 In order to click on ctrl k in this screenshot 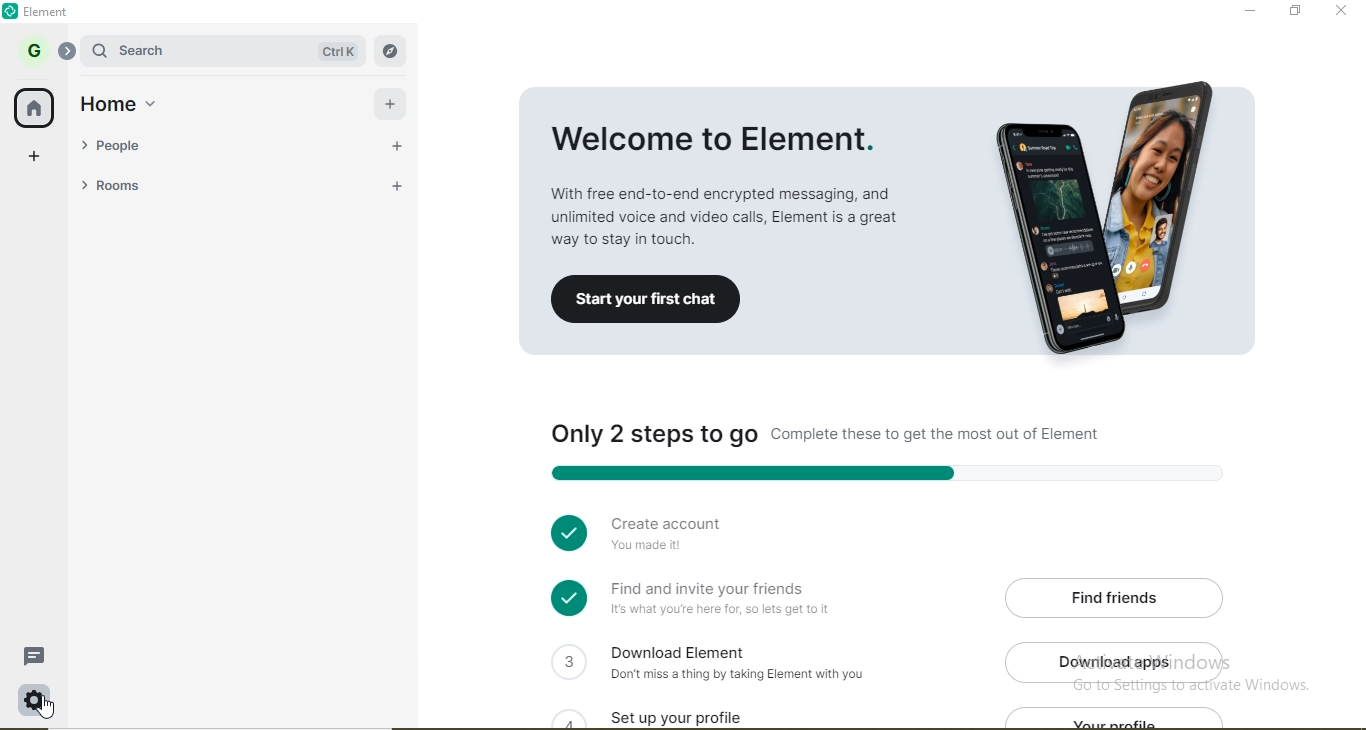, I will do `click(330, 52)`.